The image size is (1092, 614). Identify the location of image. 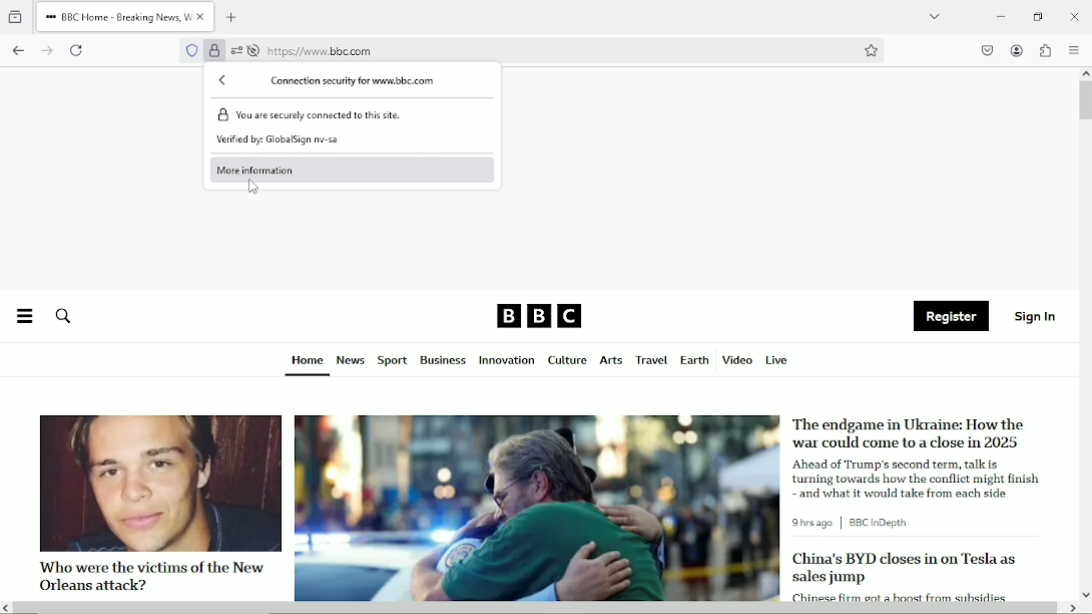
(159, 483).